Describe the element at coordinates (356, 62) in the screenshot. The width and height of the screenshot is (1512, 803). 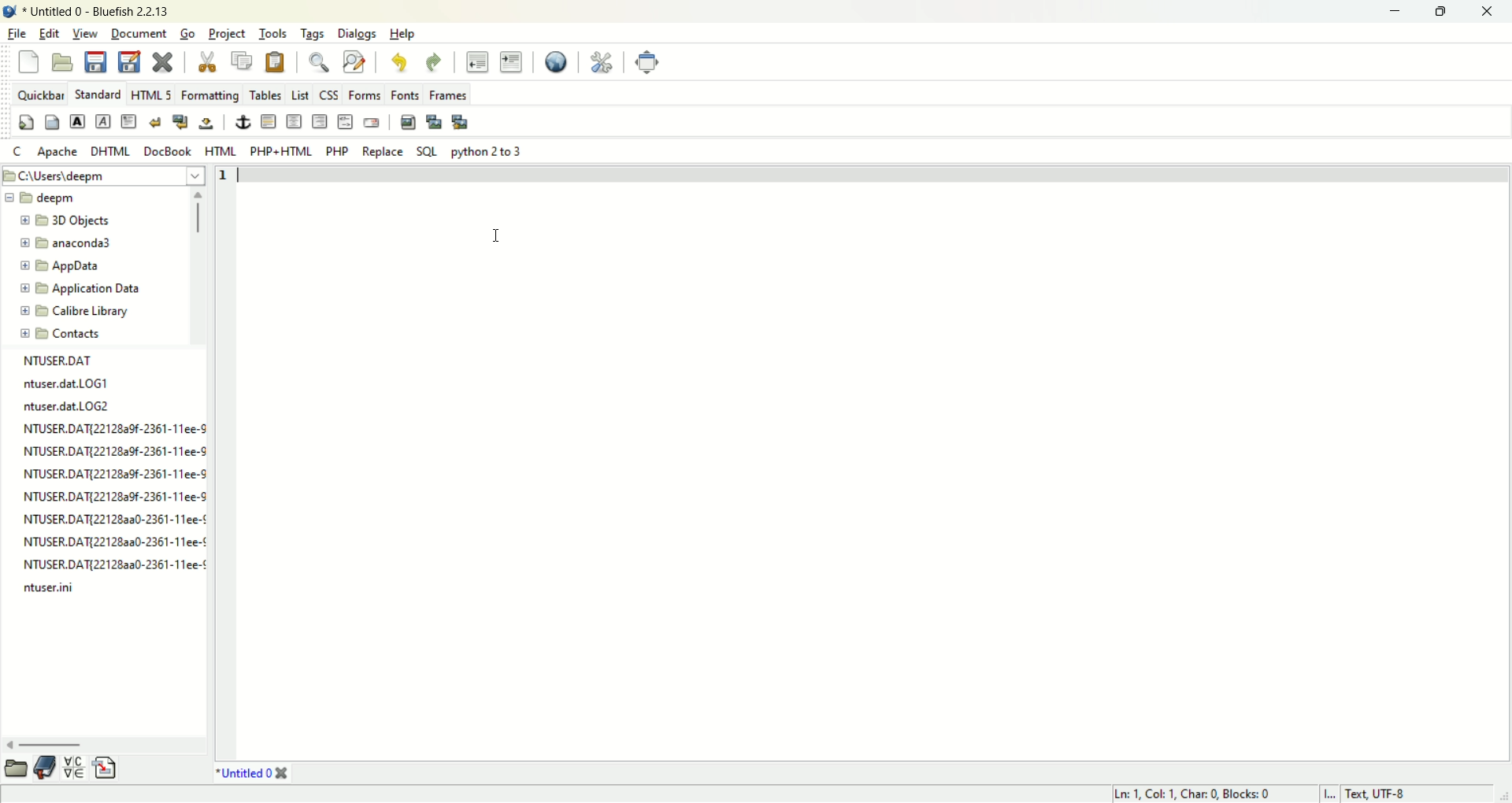
I see `advanced find and replace` at that location.